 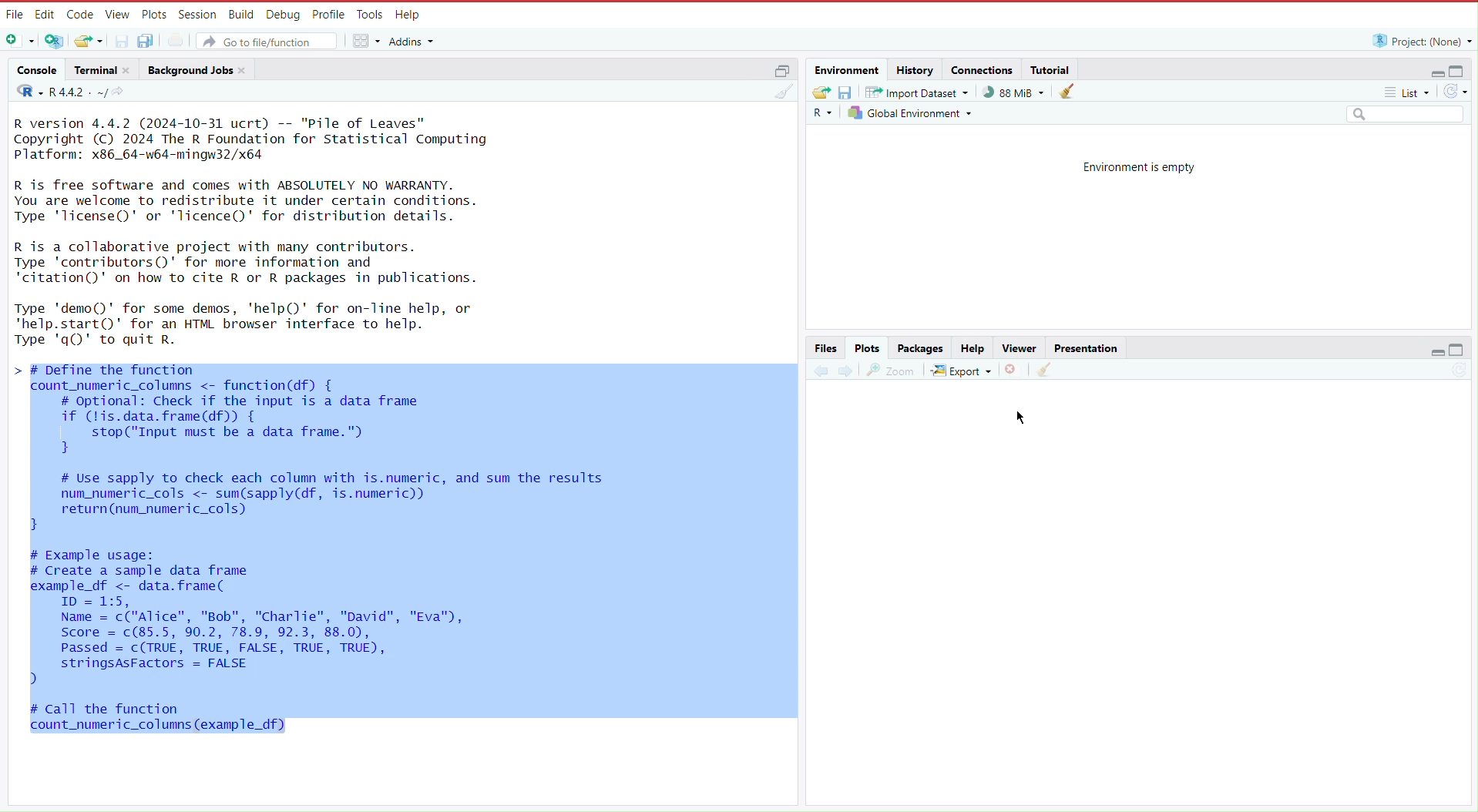 I want to click on Maximize, so click(x=1459, y=351).